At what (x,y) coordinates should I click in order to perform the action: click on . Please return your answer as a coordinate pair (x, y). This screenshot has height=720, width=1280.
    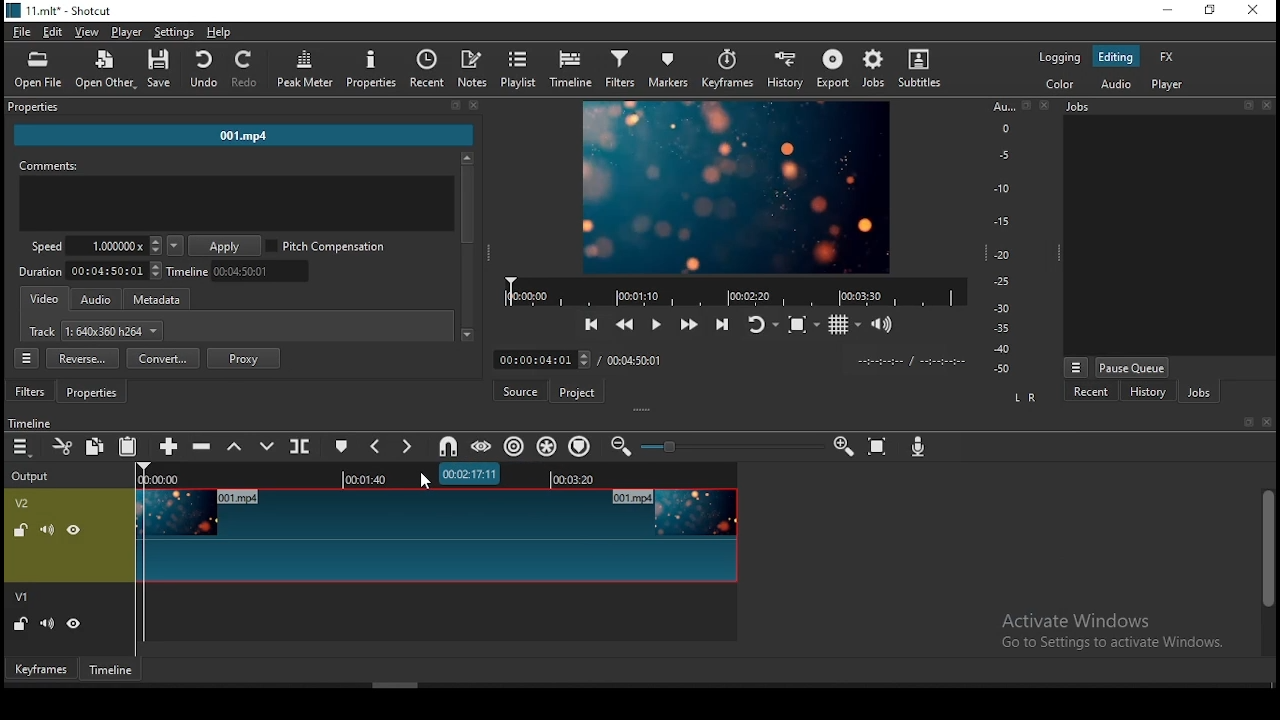
    Looking at the image, I should click on (30, 421).